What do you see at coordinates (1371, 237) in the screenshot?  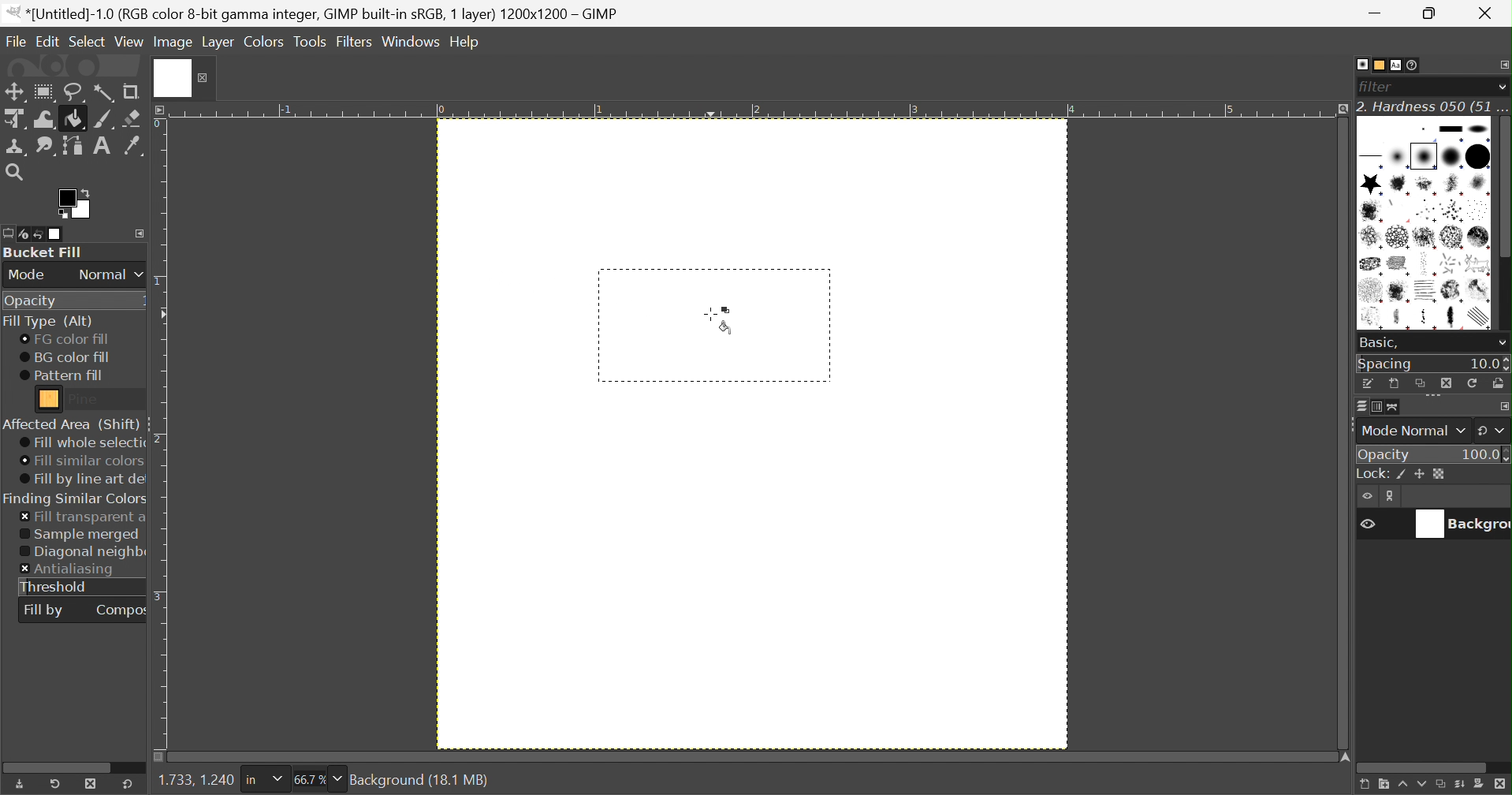 I see `Cell 01` at bounding box center [1371, 237].